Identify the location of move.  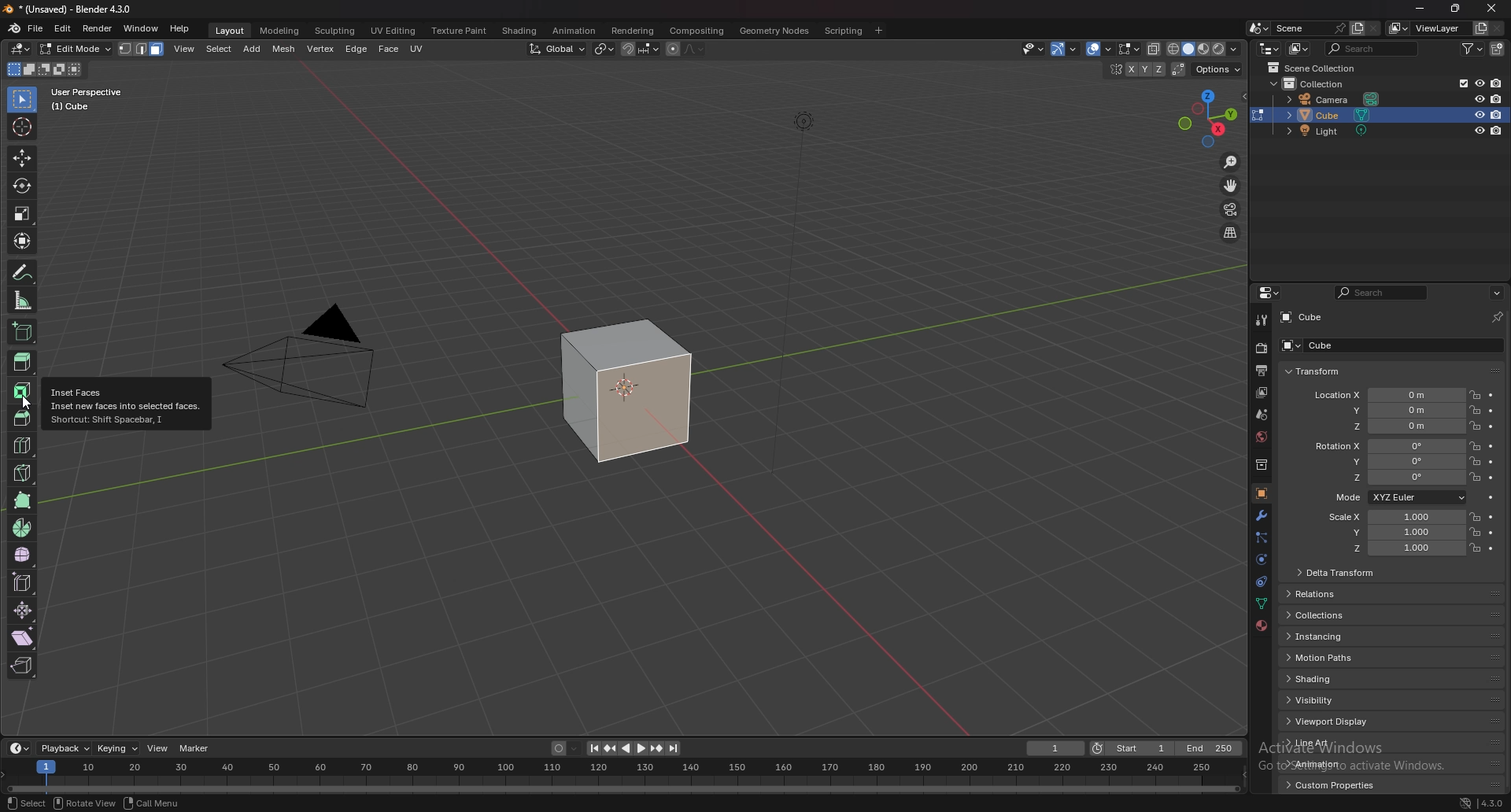
(1232, 186).